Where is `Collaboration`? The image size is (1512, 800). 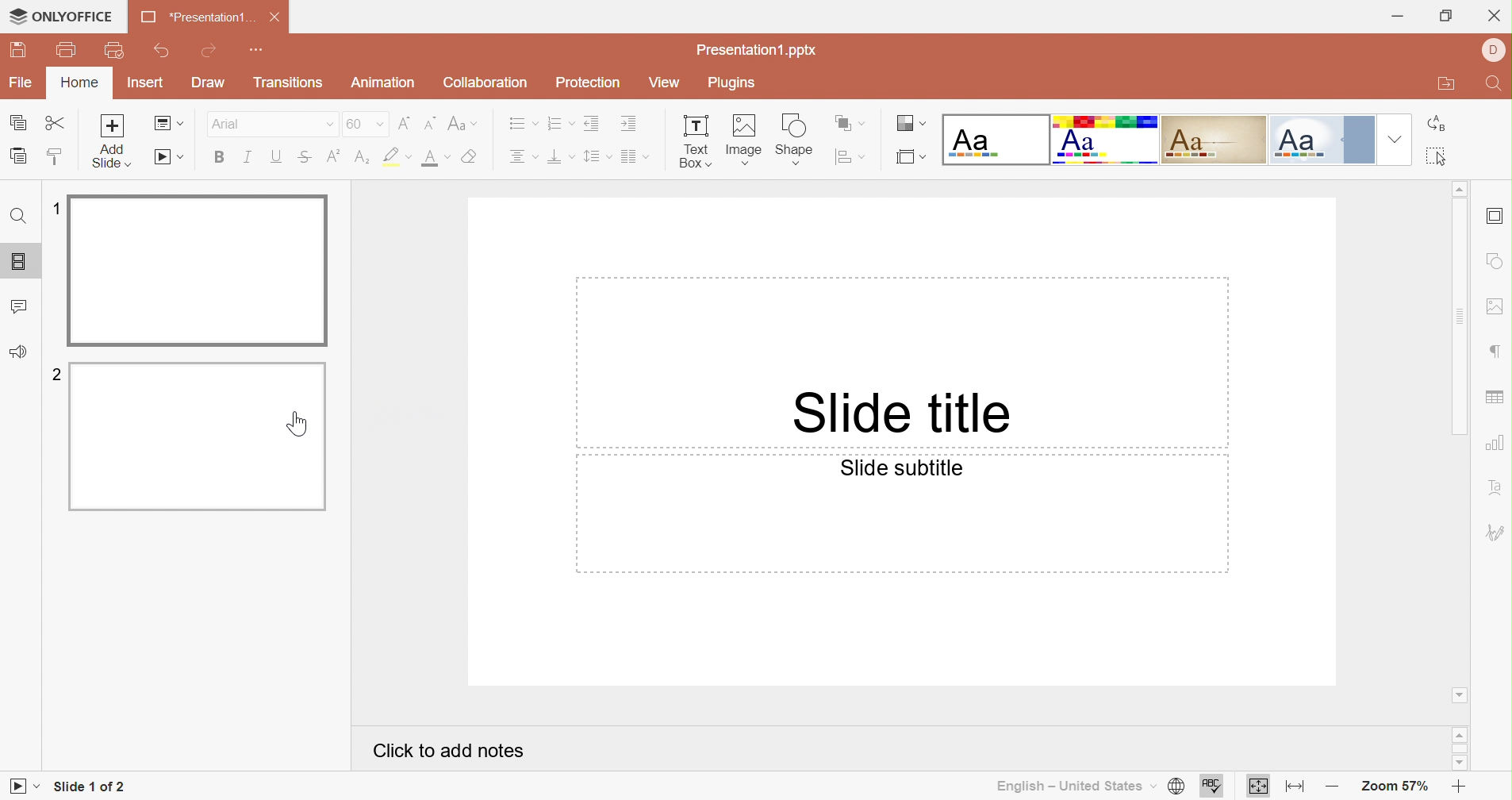 Collaboration is located at coordinates (485, 83).